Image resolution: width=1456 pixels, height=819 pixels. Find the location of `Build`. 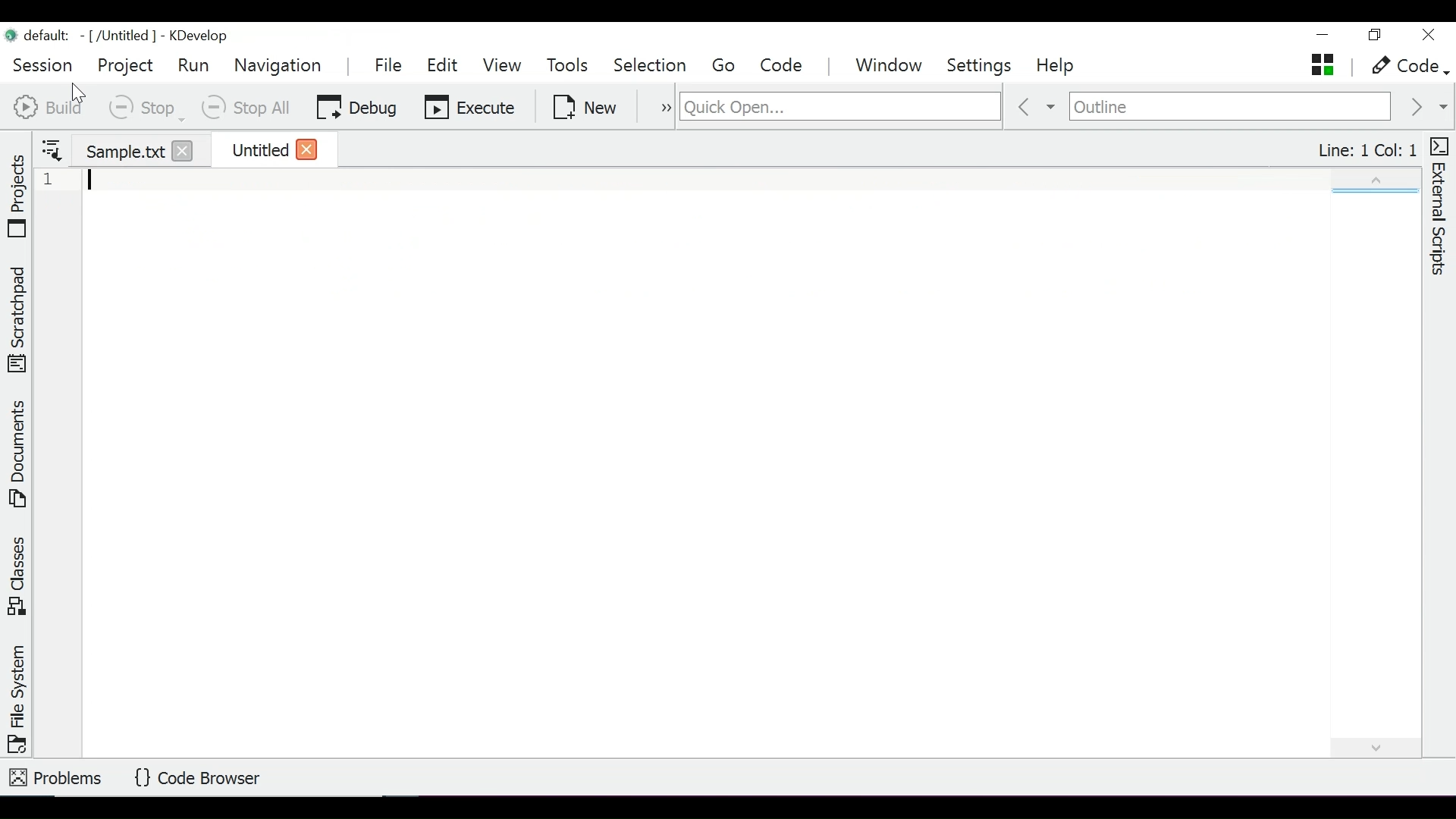

Build is located at coordinates (54, 108).